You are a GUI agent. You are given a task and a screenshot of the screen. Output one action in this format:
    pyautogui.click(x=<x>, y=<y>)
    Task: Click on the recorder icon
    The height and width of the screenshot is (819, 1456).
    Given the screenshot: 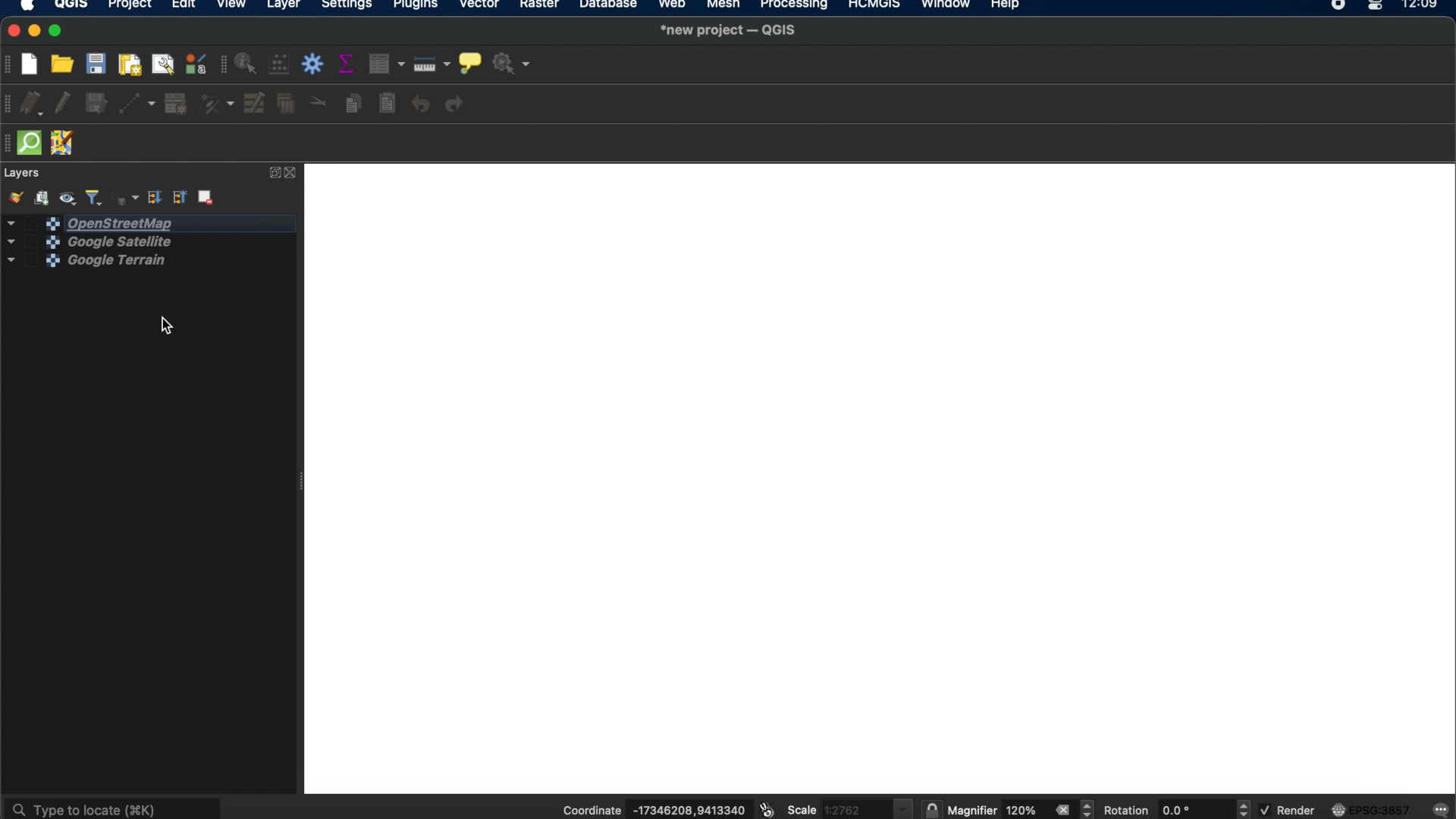 What is the action you would take?
    pyautogui.click(x=1339, y=6)
    